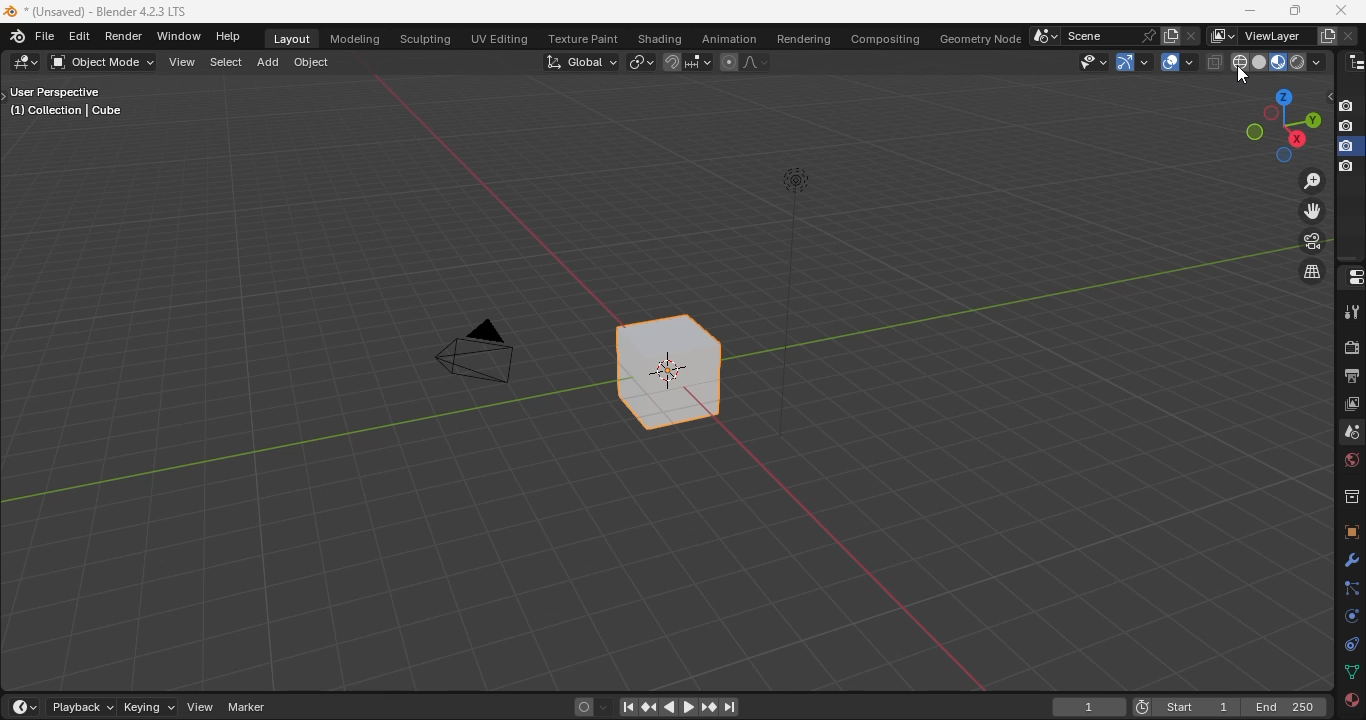  Describe the element at coordinates (699, 62) in the screenshot. I see `snapping` at that location.